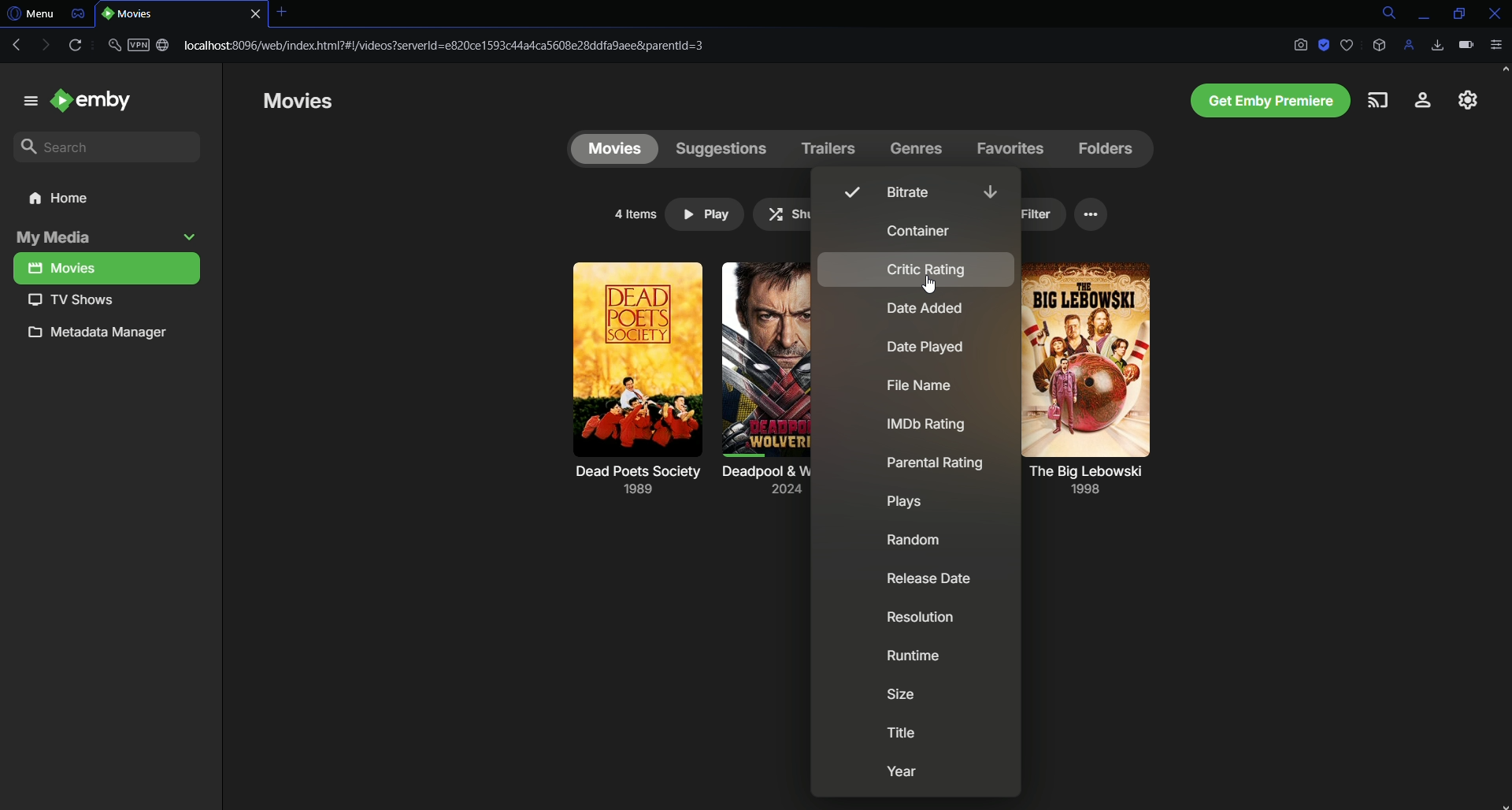 Image resolution: width=1512 pixels, height=810 pixels. What do you see at coordinates (1095, 214) in the screenshot?
I see `Options` at bounding box center [1095, 214].